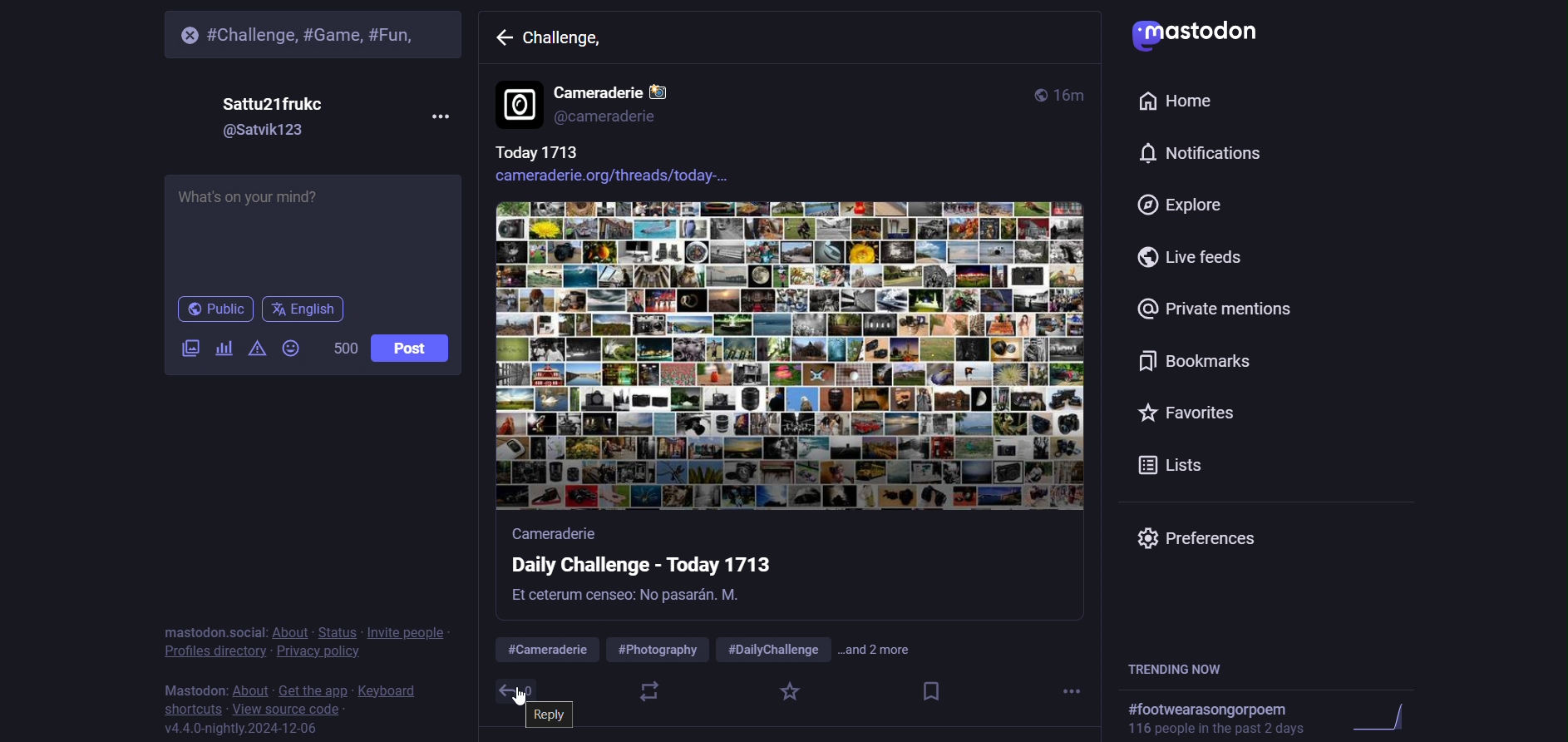 The height and width of the screenshot is (742, 1568). Describe the element at coordinates (648, 692) in the screenshot. I see `boost` at that location.